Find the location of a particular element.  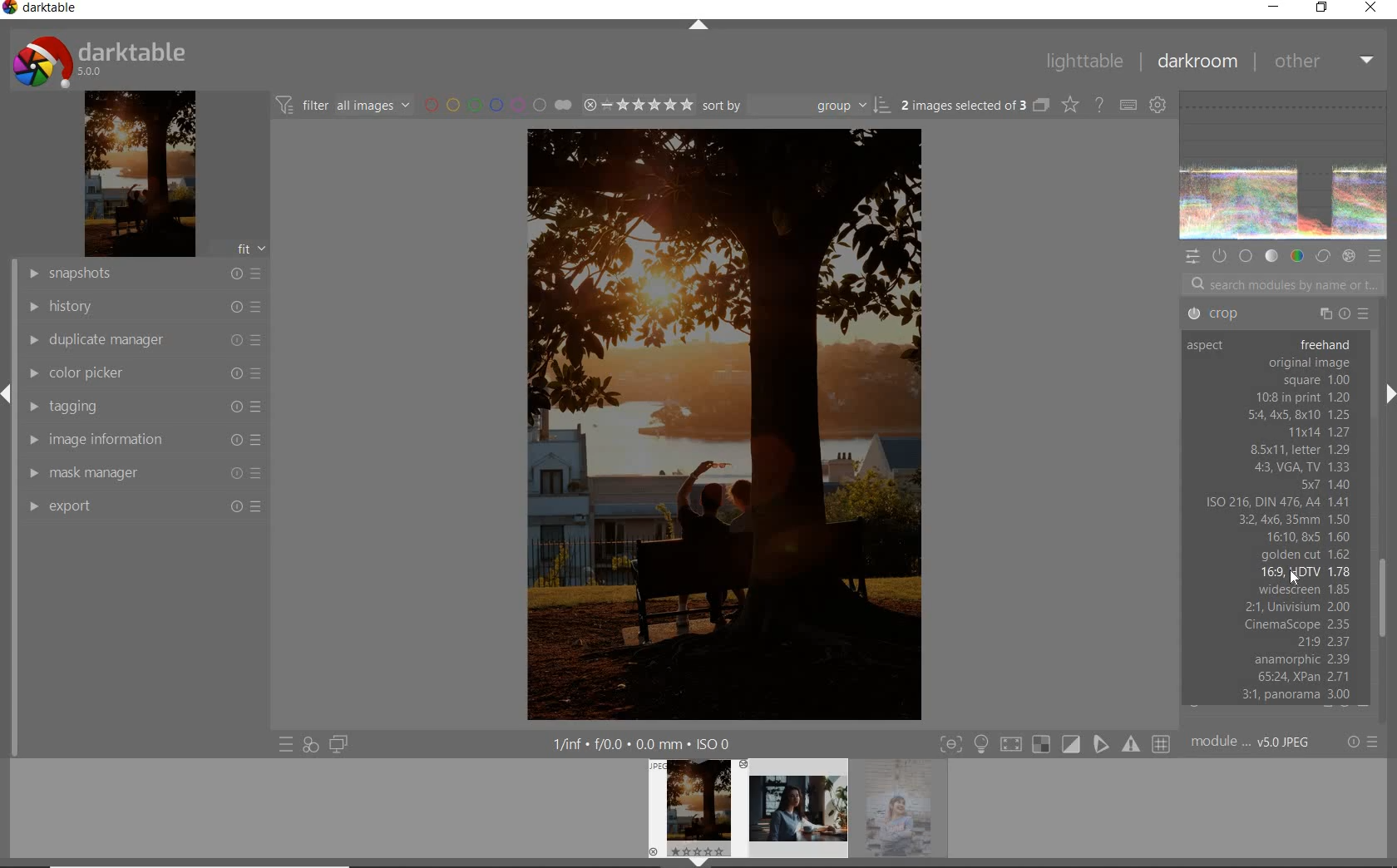

other is located at coordinates (1323, 62).